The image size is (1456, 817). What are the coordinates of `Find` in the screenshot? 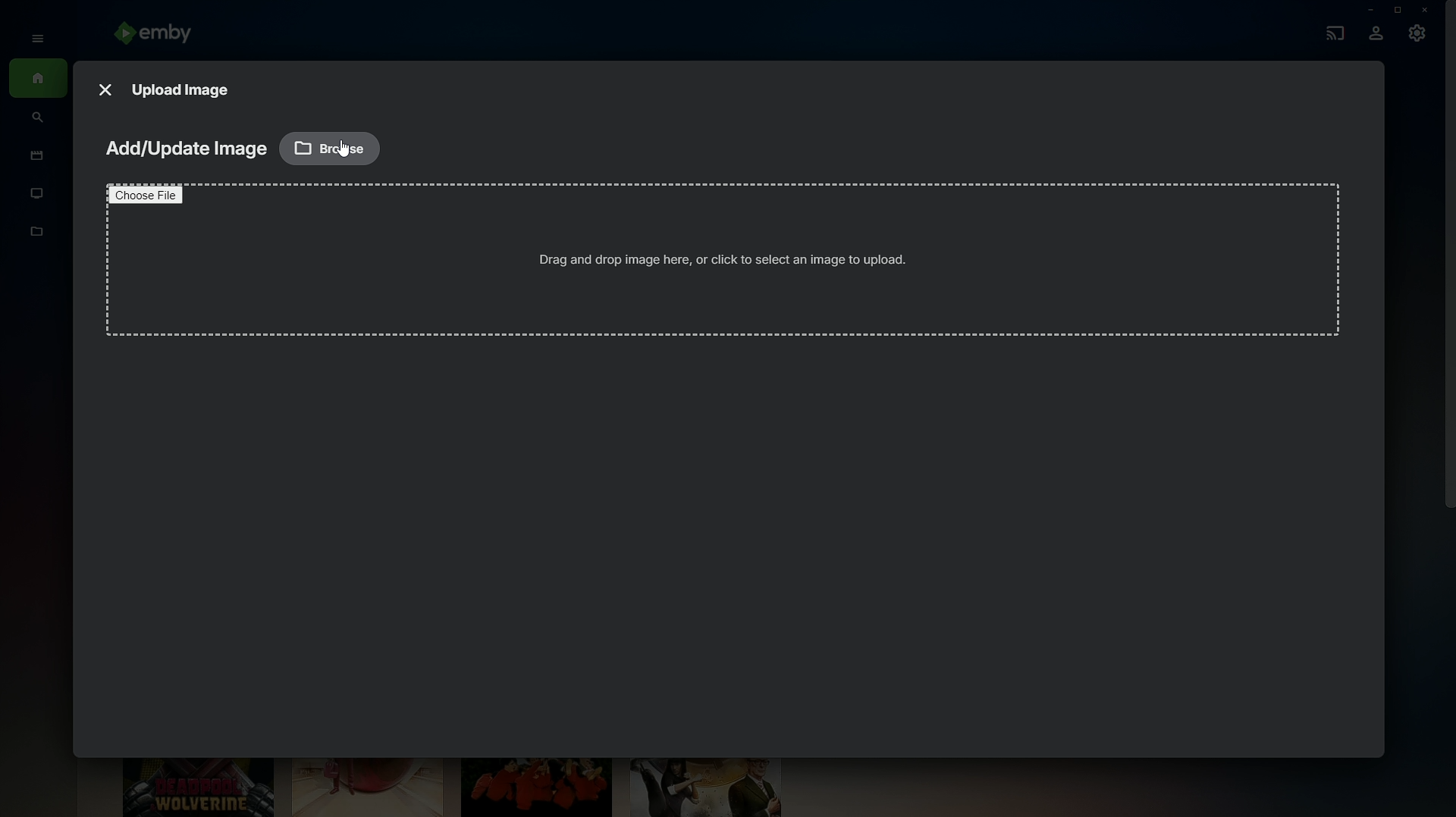 It's located at (38, 119).